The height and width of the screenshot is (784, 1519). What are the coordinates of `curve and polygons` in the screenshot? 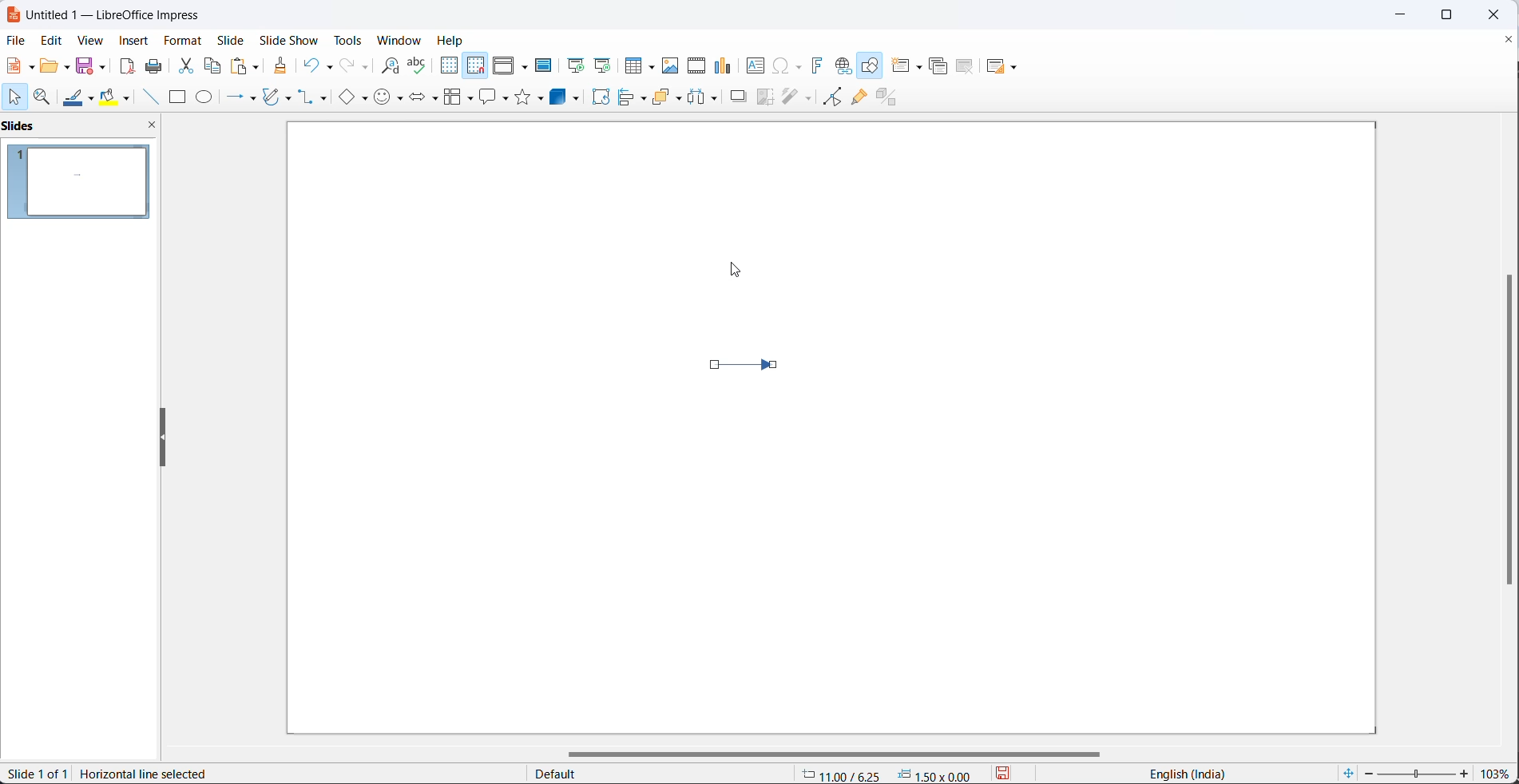 It's located at (280, 95).